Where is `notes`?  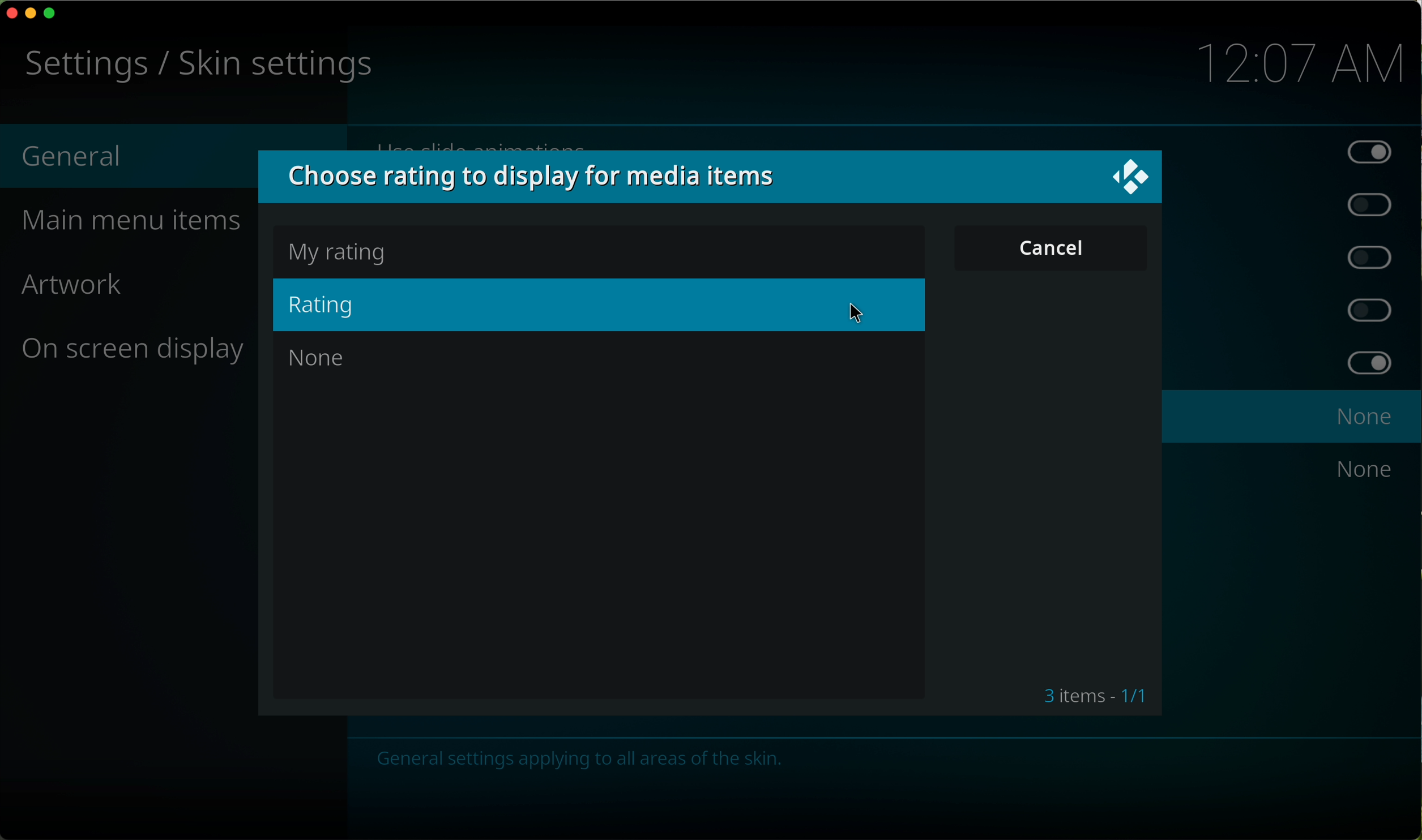 notes is located at coordinates (581, 760).